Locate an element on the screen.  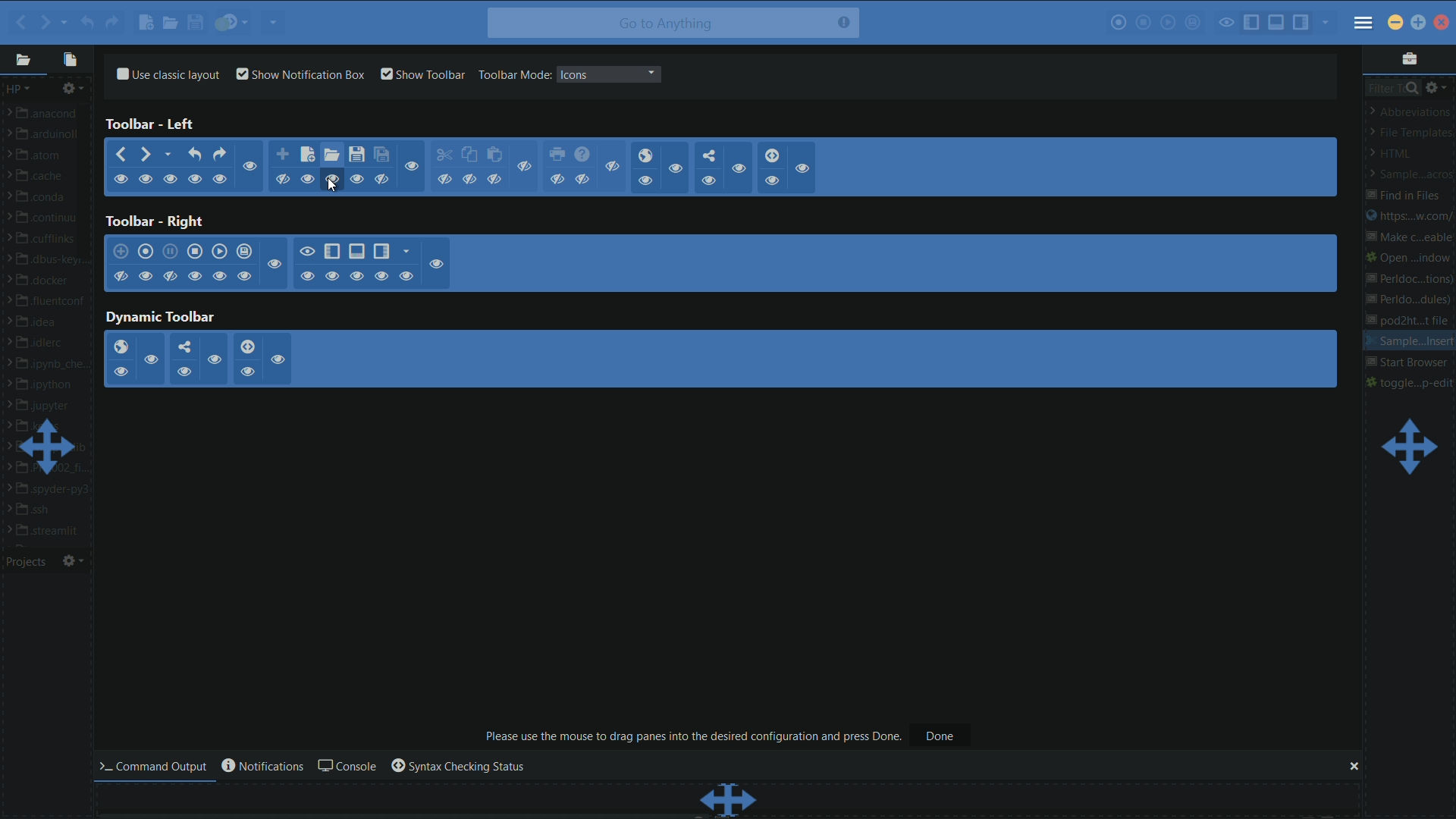
file templates is located at coordinates (1410, 133).